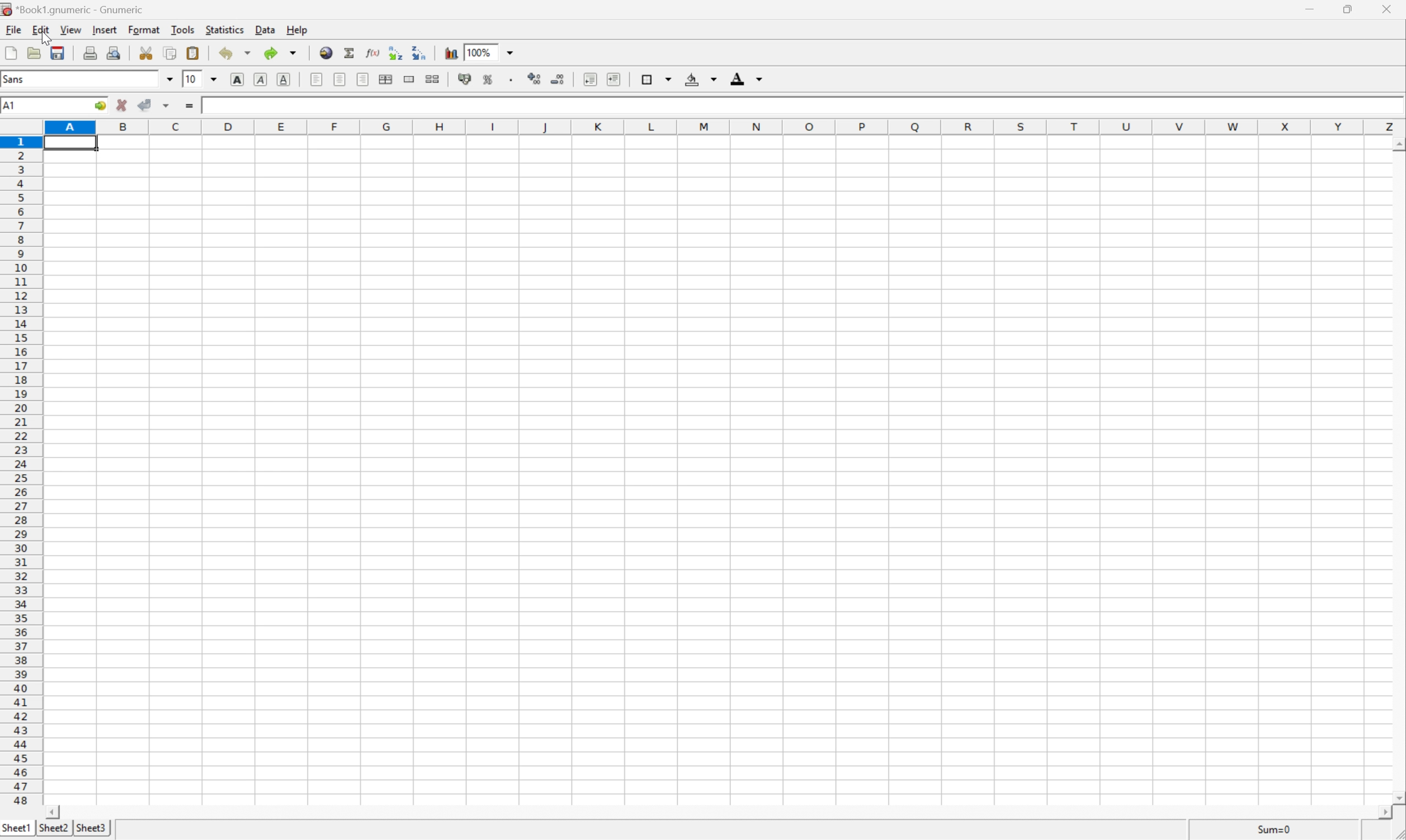  Describe the element at coordinates (433, 80) in the screenshot. I see `split merged ranges of cells` at that location.